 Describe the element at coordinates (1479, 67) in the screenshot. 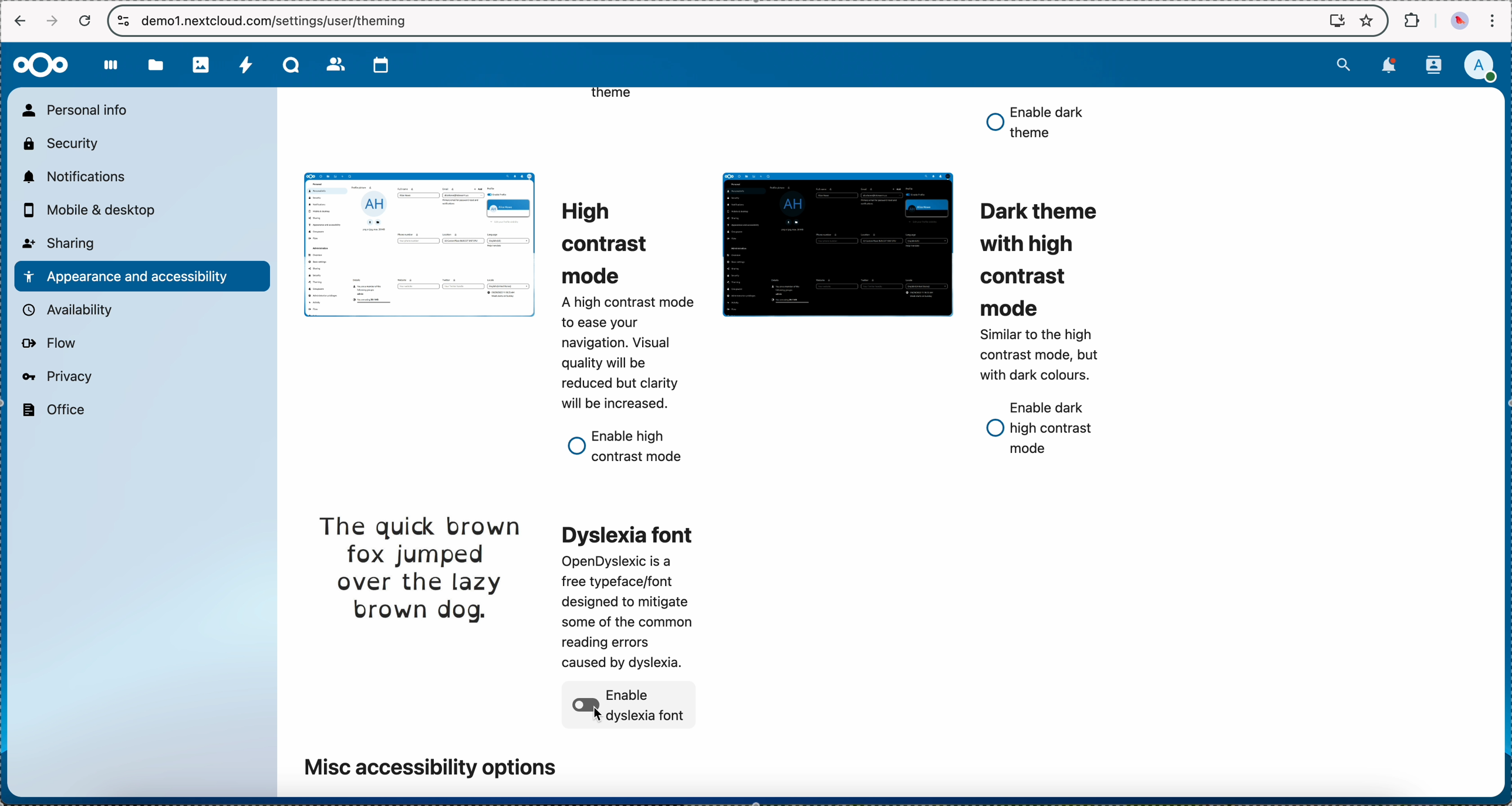

I see `click on user profile` at that location.